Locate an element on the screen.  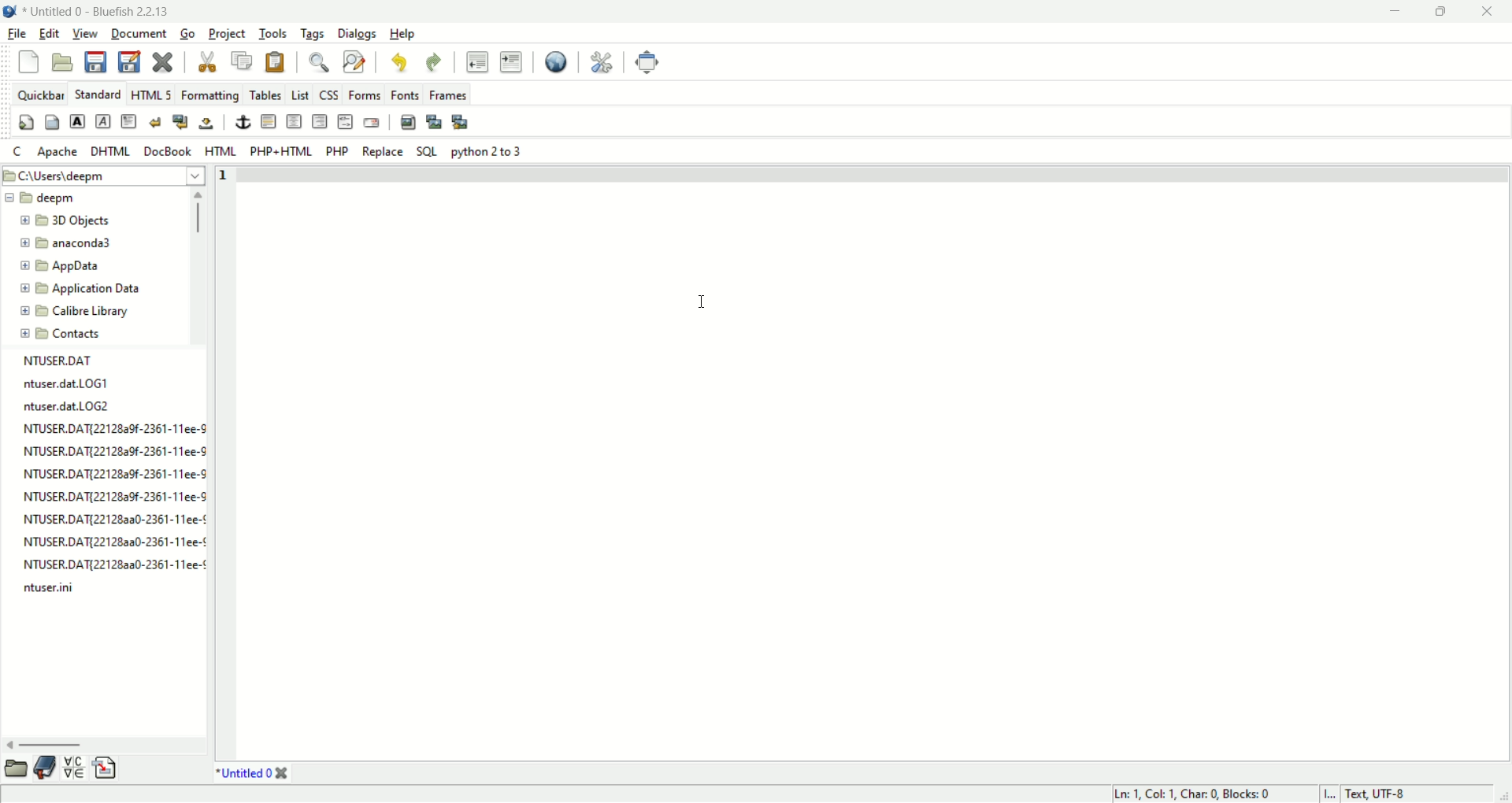
edit preferences is located at coordinates (601, 61).